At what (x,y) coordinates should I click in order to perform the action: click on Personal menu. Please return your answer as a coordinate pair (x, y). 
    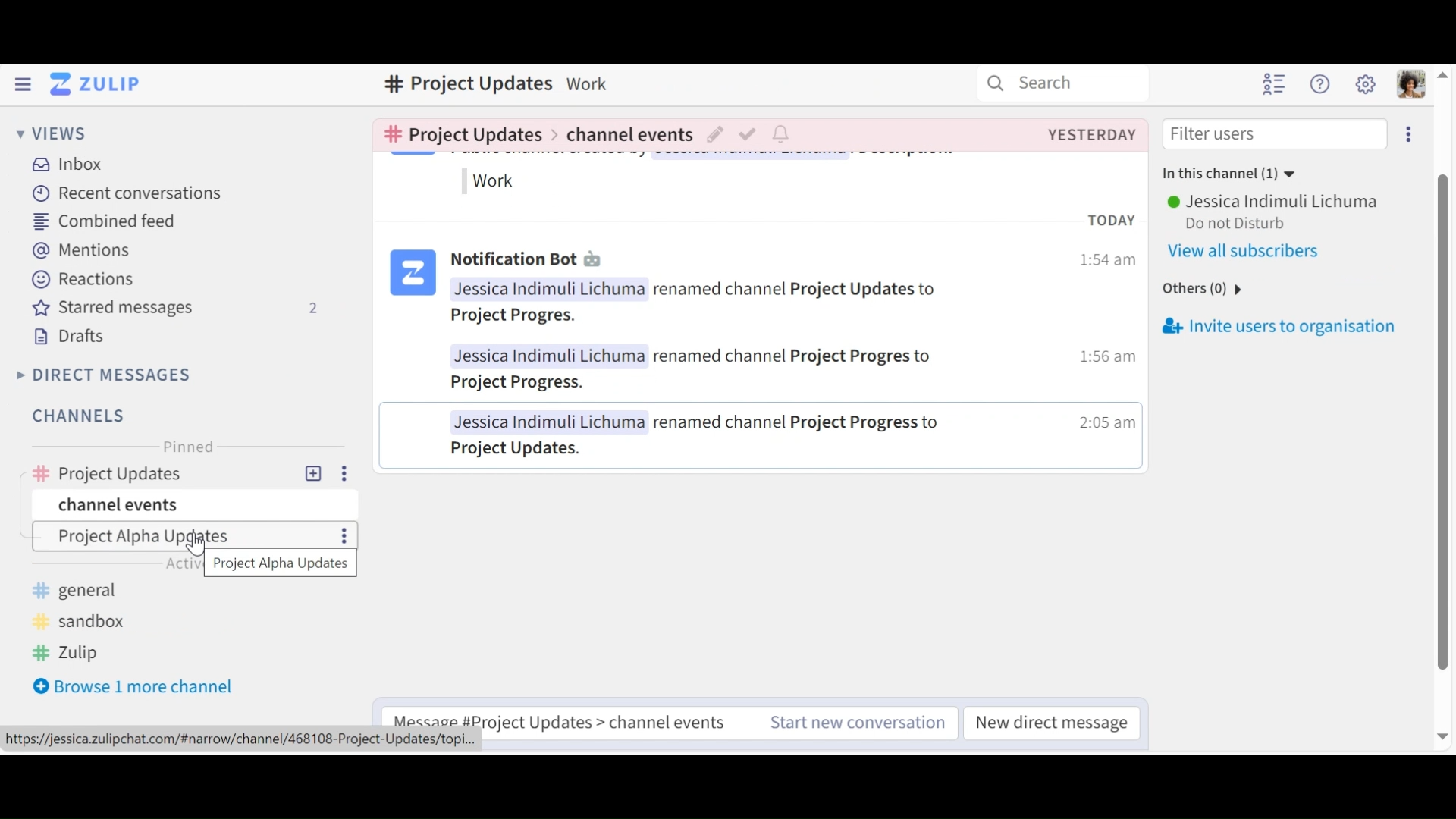
    Looking at the image, I should click on (1413, 83).